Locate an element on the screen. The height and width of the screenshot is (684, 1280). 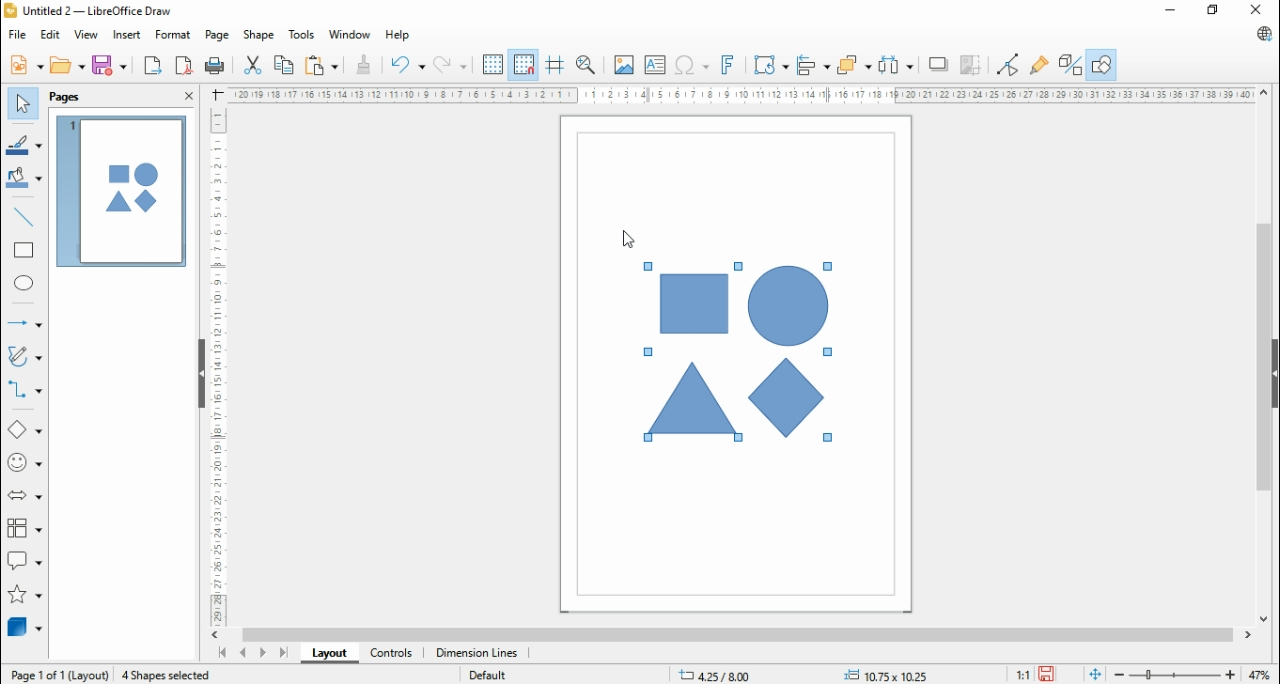
page is located at coordinates (216, 36).